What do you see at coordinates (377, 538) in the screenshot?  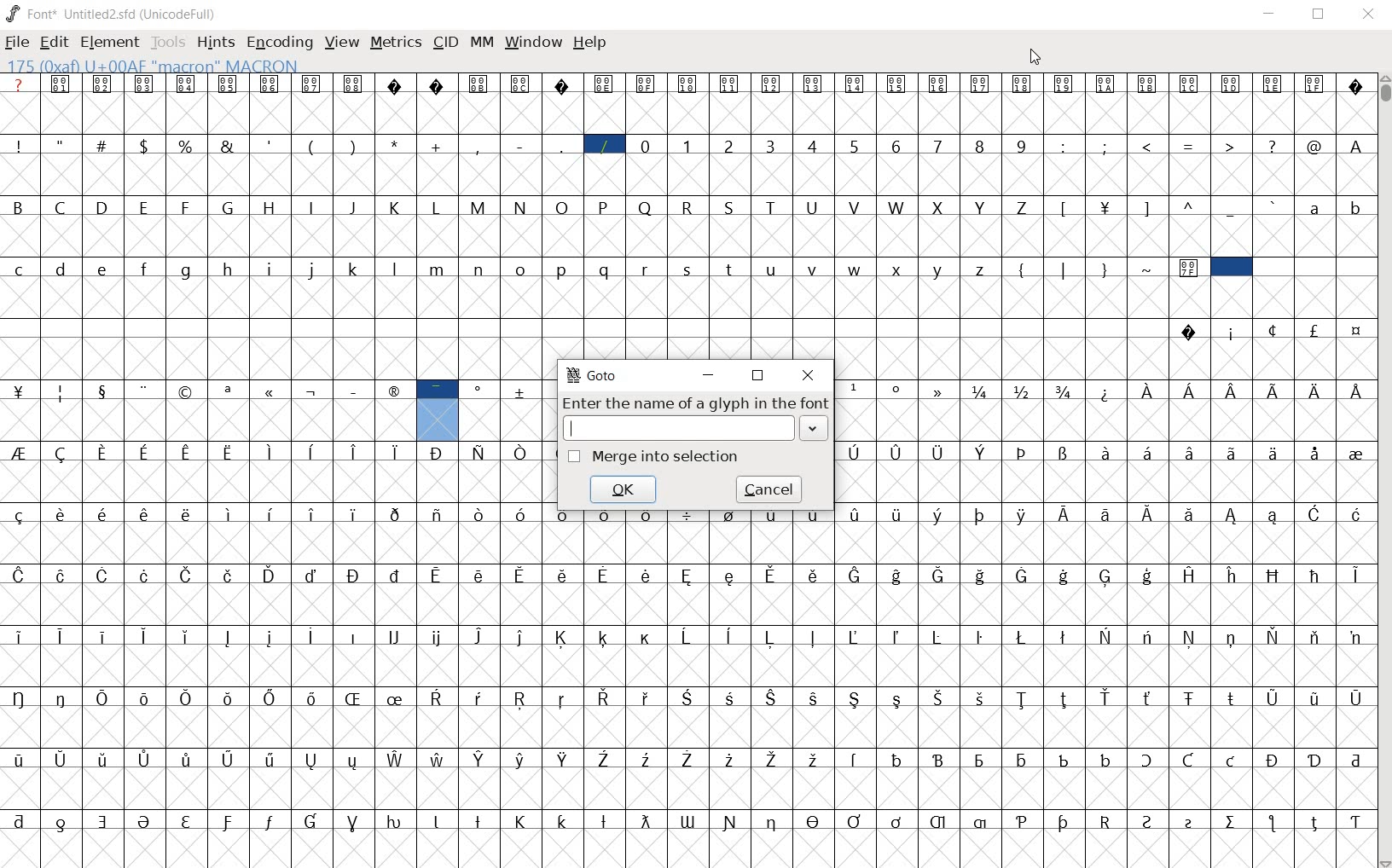 I see `Latin extended characters` at bounding box center [377, 538].